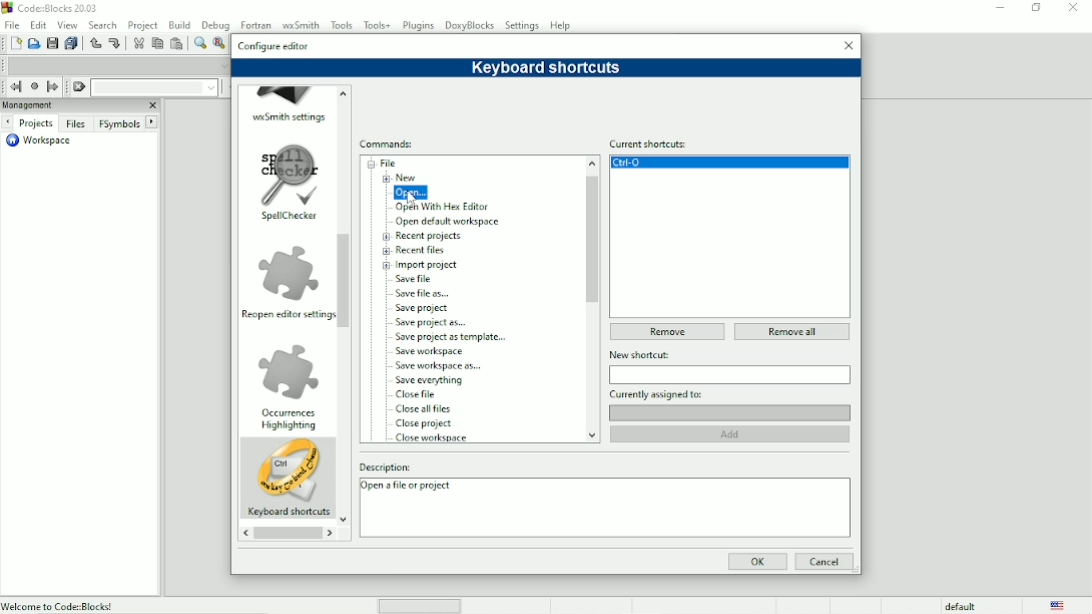 This screenshot has height=614, width=1092. What do you see at coordinates (962, 606) in the screenshot?
I see `default` at bounding box center [962, 606].